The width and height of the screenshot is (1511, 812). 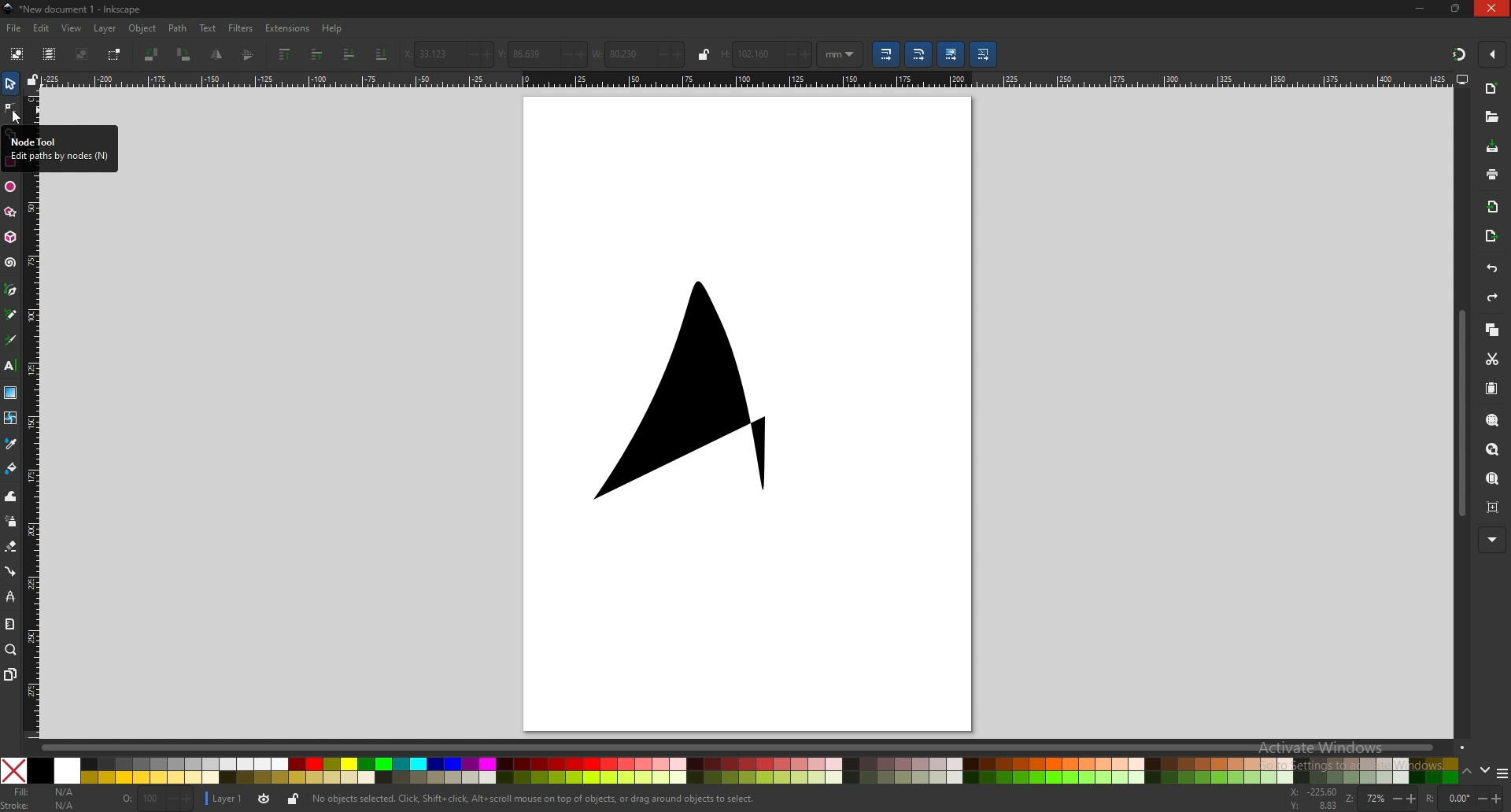 I want to click on raise selection one step, so click(x=319, y=56).